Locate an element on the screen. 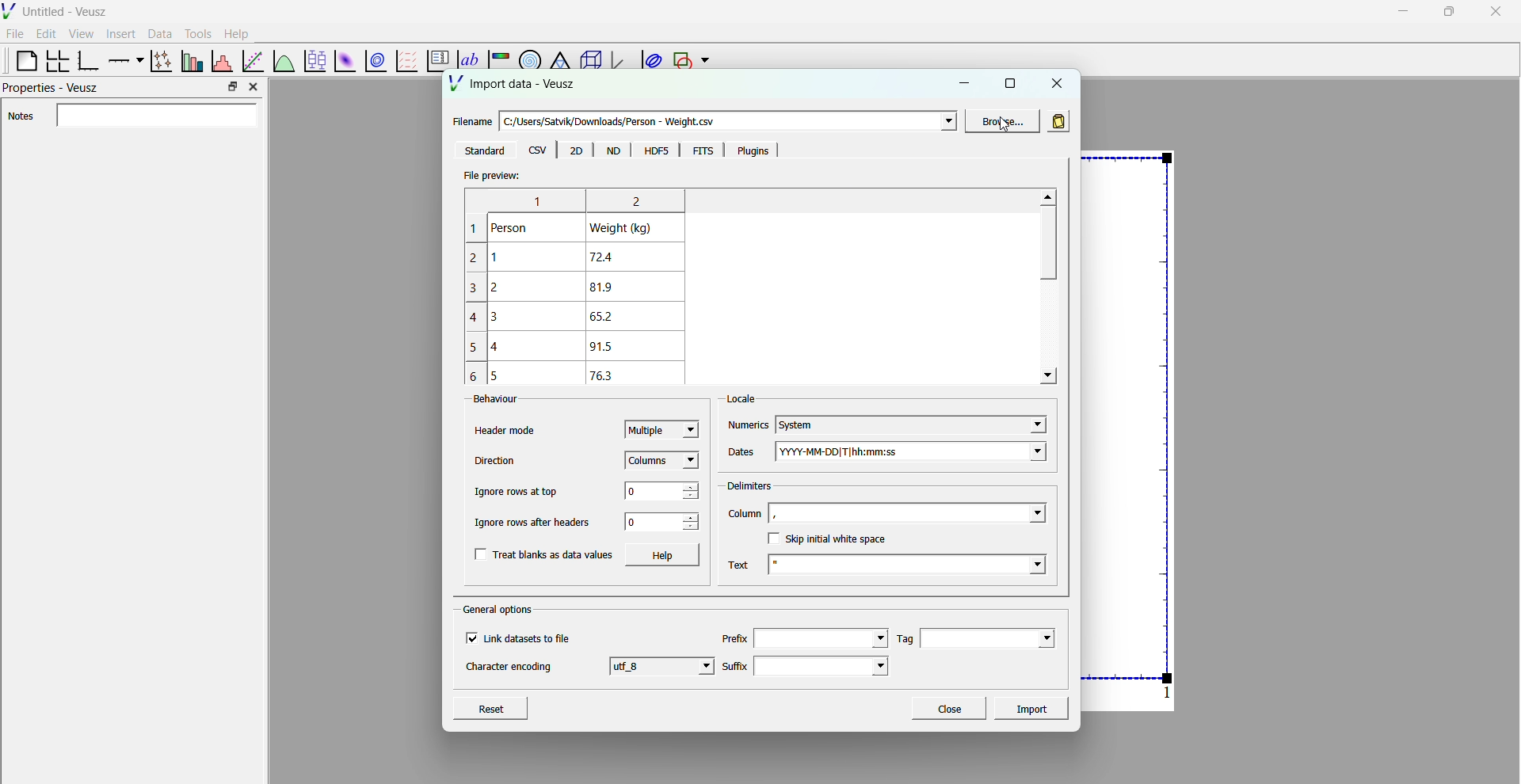  minimize is located at coordinates (967, 82).